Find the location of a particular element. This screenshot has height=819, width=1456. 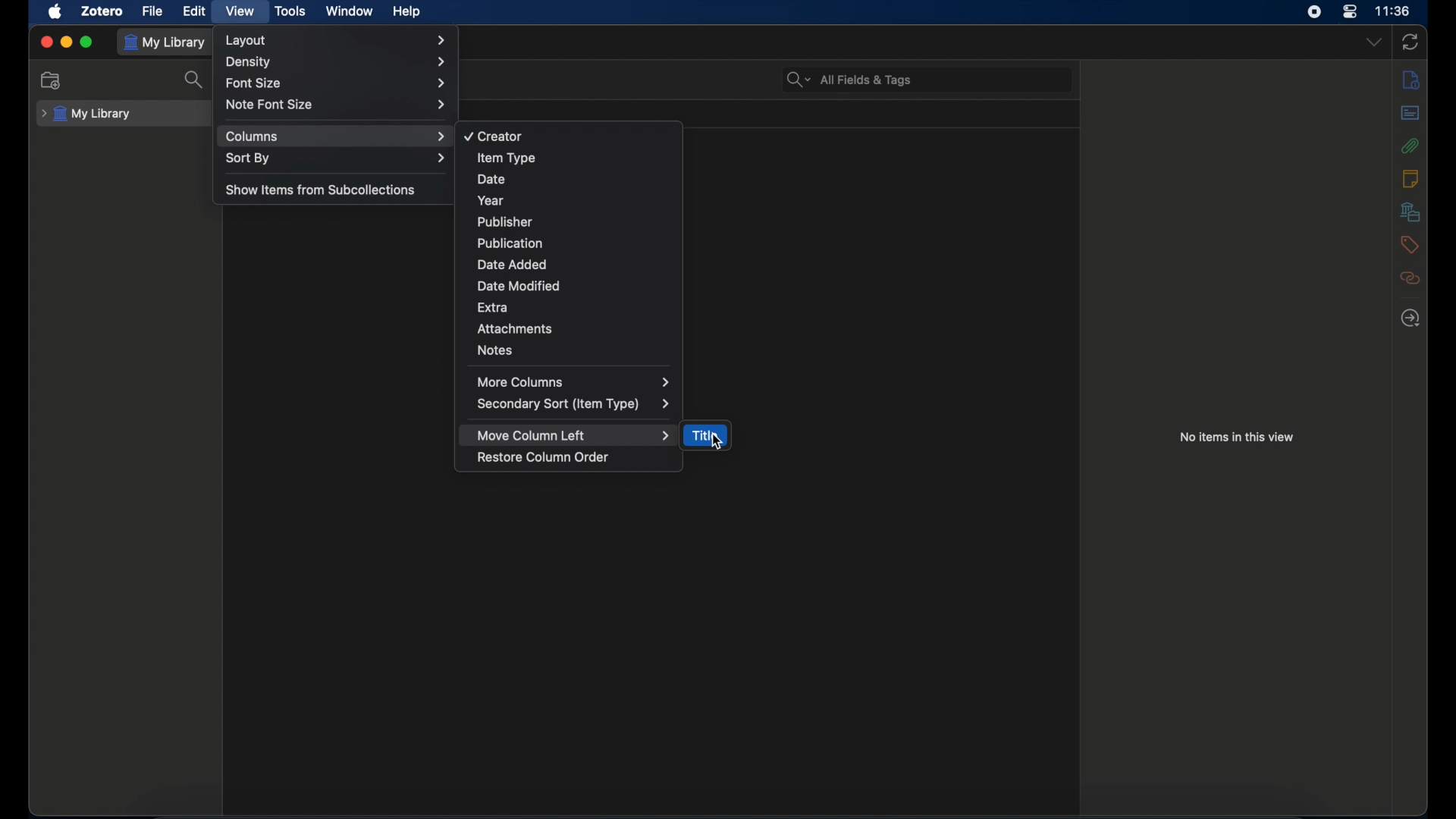

screen recorder is located at coordinates (1314, 11).